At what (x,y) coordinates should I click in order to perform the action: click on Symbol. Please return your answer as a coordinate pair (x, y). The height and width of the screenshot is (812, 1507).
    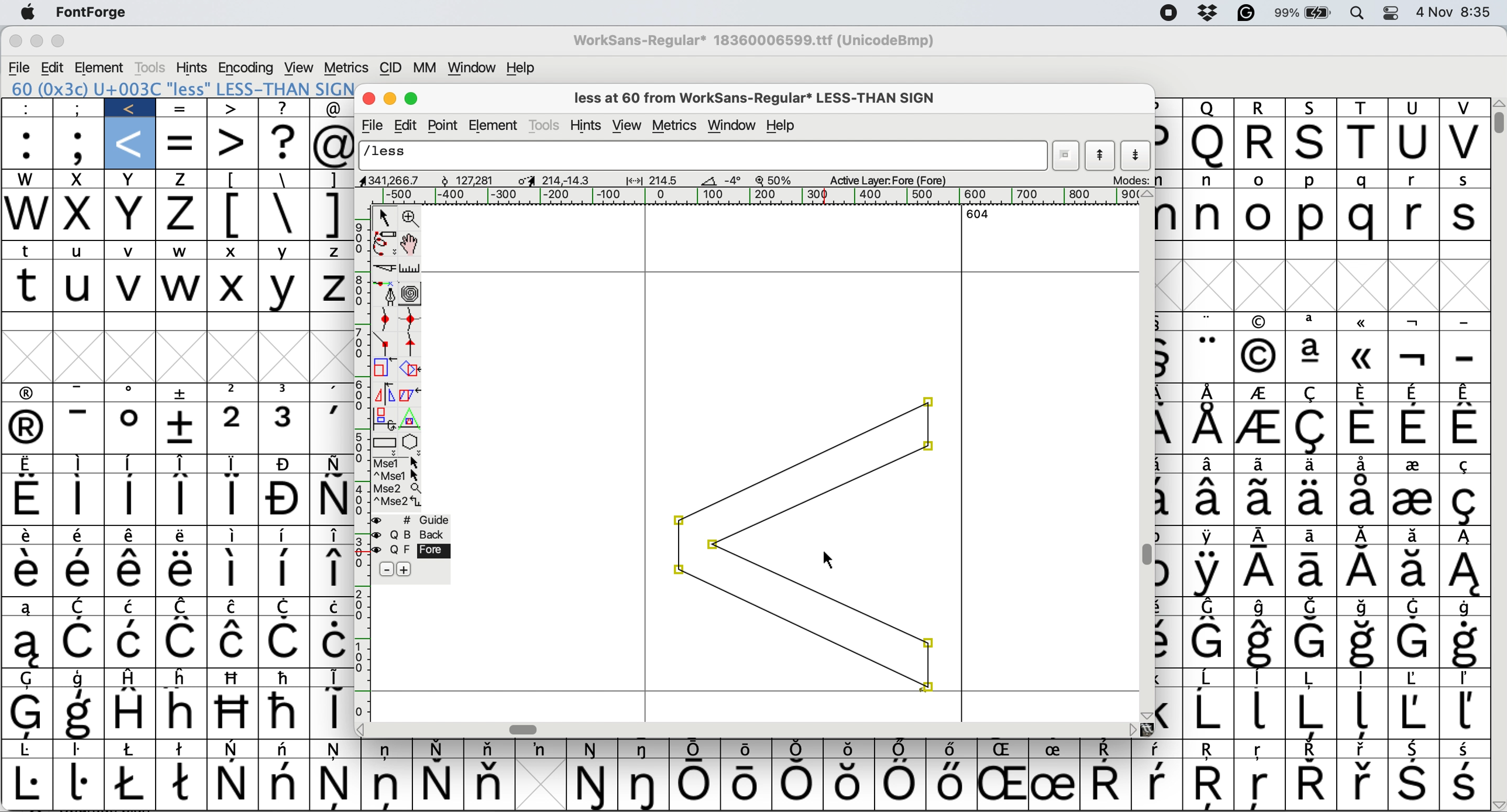
    Looking at the image, I should click on (285, 783).